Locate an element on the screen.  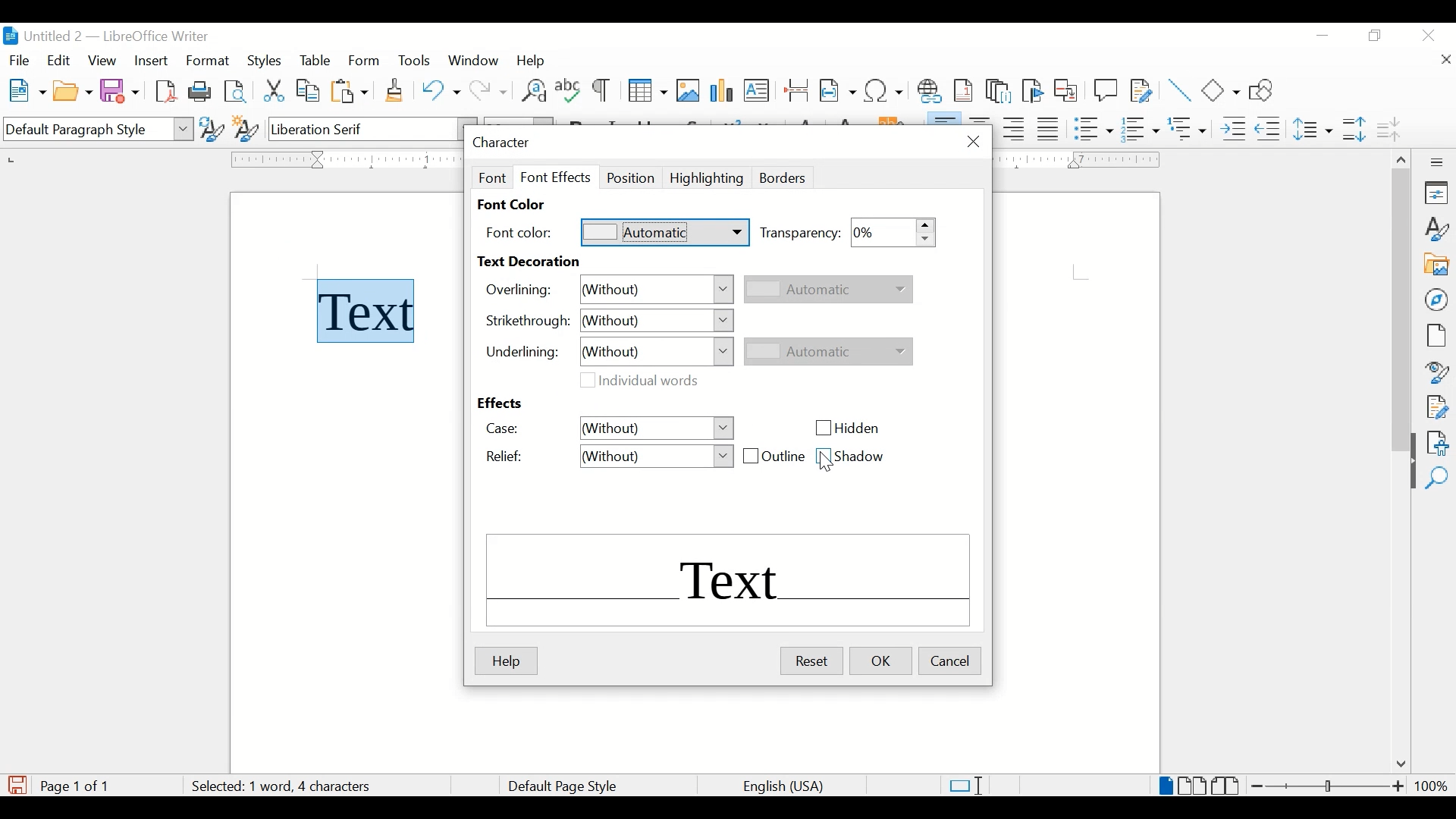
styles is located at coordinates (266, 61).